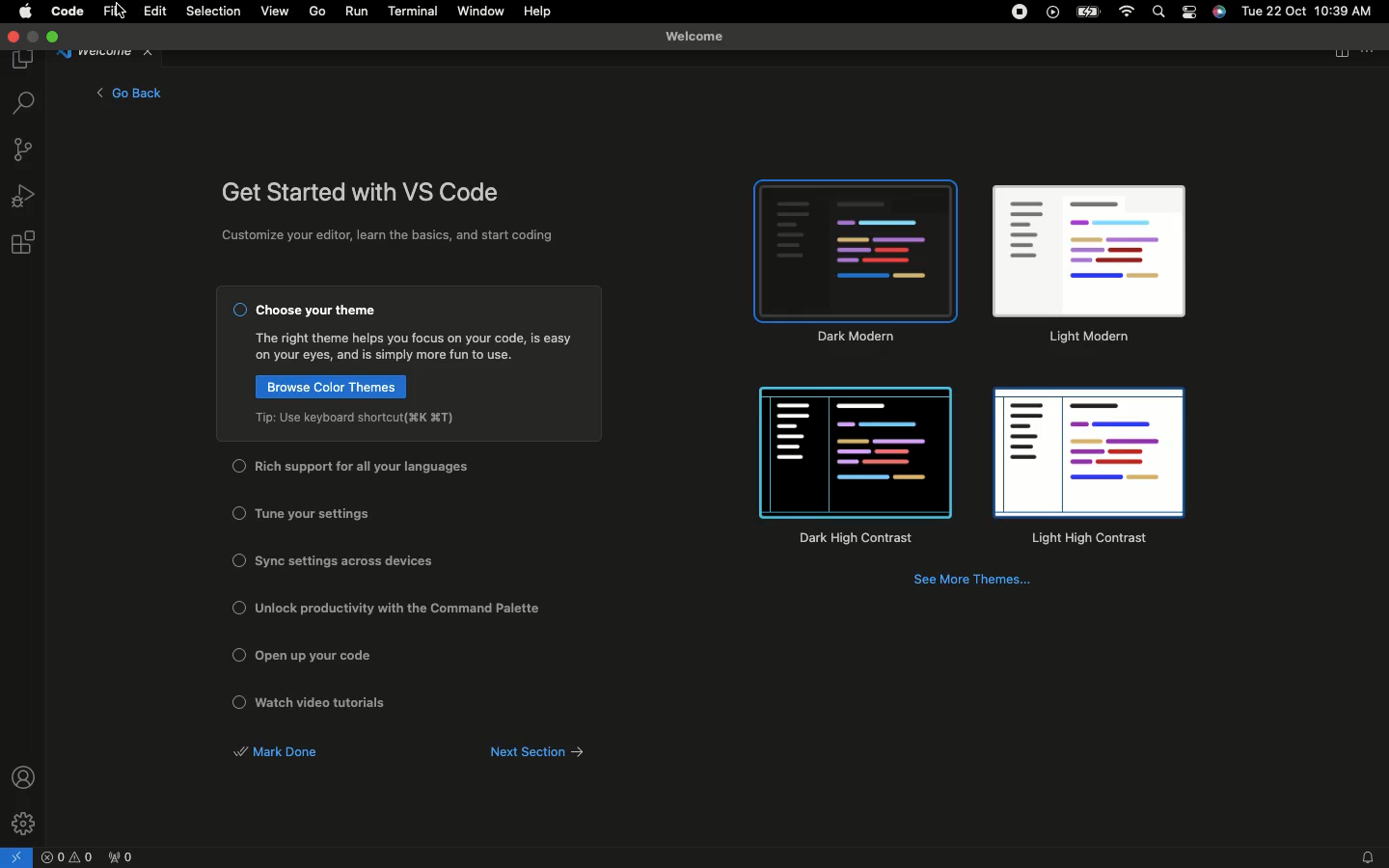 Image resolution: width=1389 pixels, height=868 pixels. Describe the element at coordinates (116, 12) in the screenshot. I see `File` at that location.